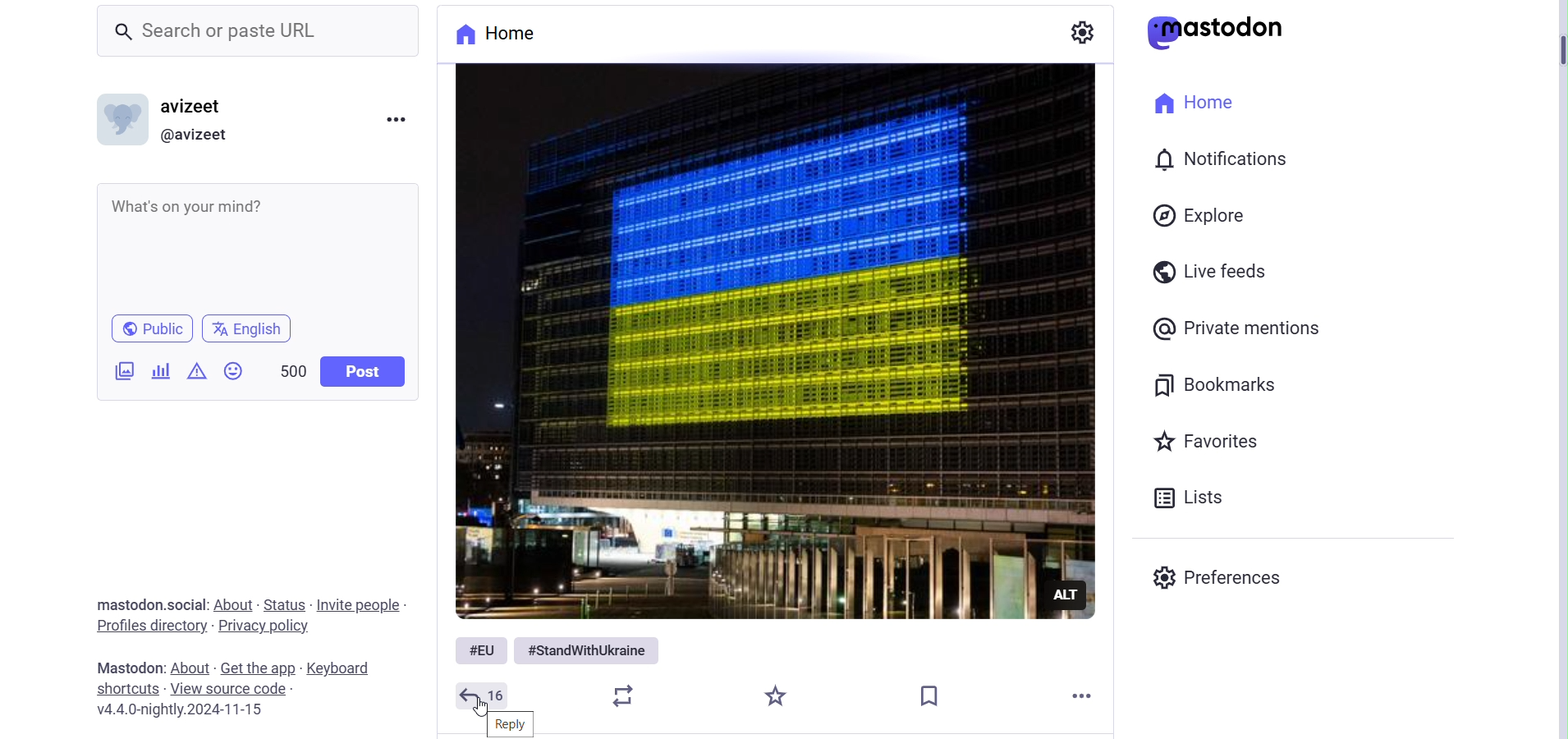 The width and height of the screenshot is (1568, 739). What do you see at coordinates (365, 369) in the screenshot?
I see `Post` at bounding box center [365, 369].